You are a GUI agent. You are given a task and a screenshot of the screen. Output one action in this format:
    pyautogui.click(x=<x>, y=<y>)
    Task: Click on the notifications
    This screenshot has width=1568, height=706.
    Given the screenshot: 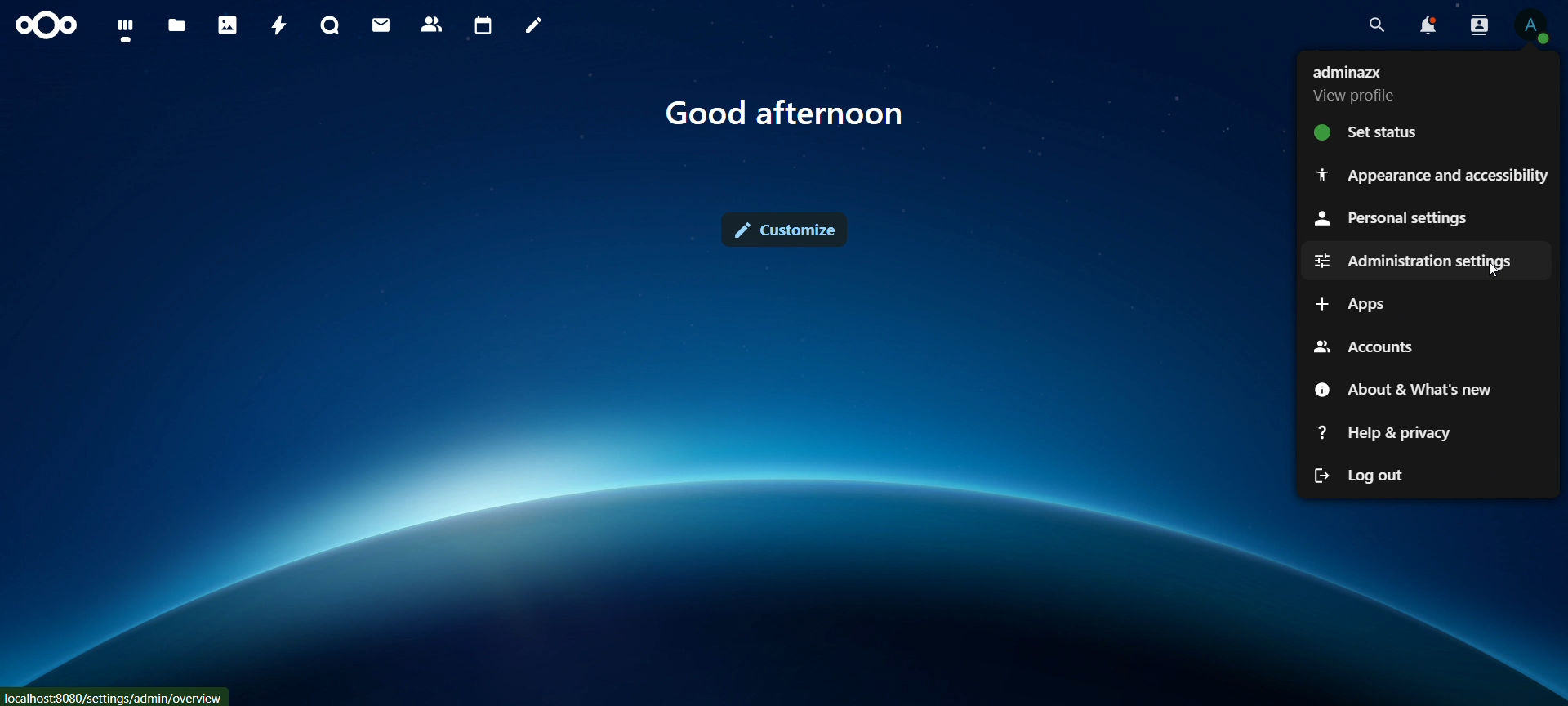 What is the action you would take?
    pyautogui.click(x=1430, y=29)
    